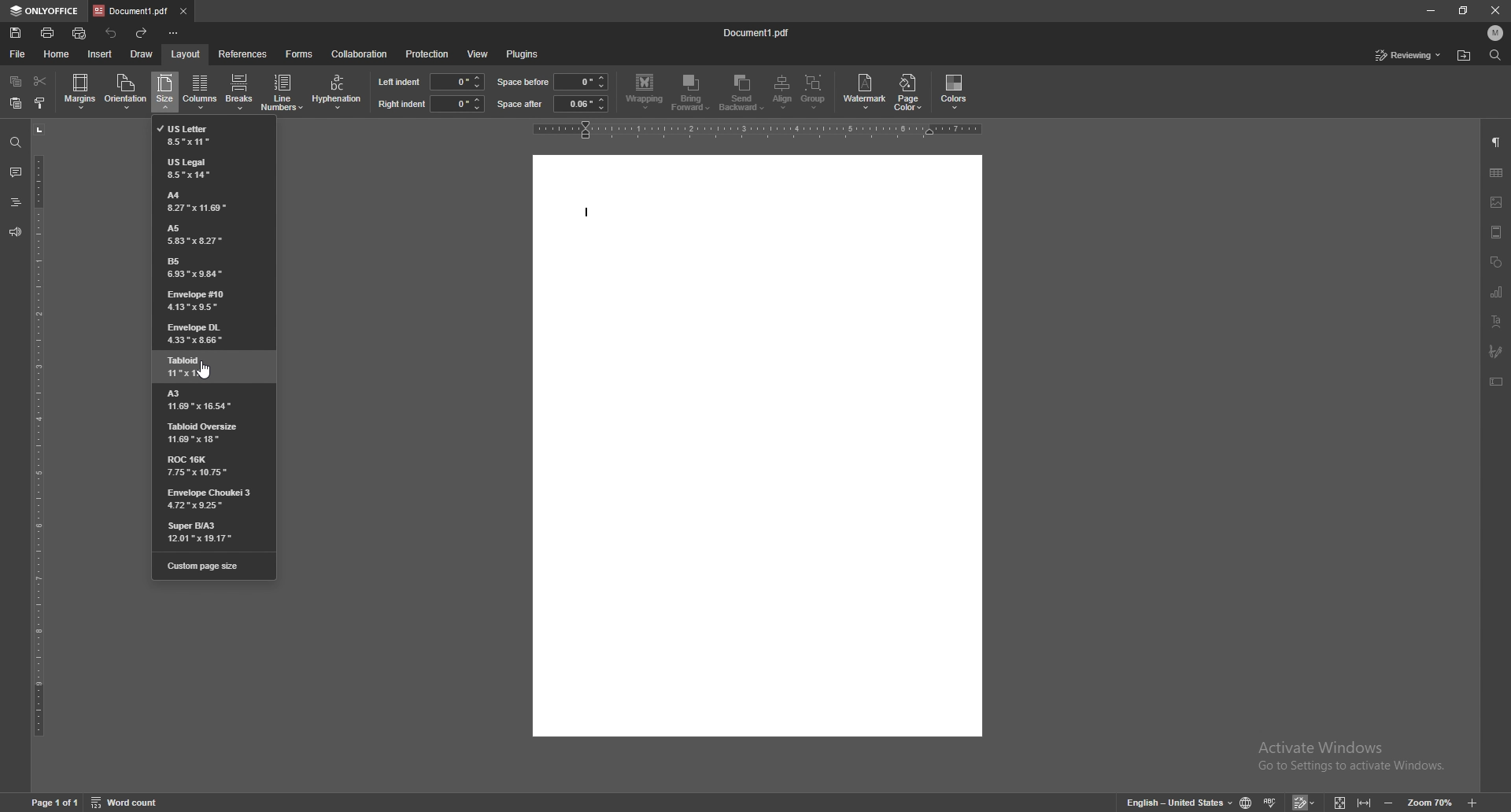 Image resolution: width=1511 pixels, height=812 pixels. What do you see at coordinates (337, 92) in the screenshot?
I see `hyphenation` at bounding box center [337, 92].